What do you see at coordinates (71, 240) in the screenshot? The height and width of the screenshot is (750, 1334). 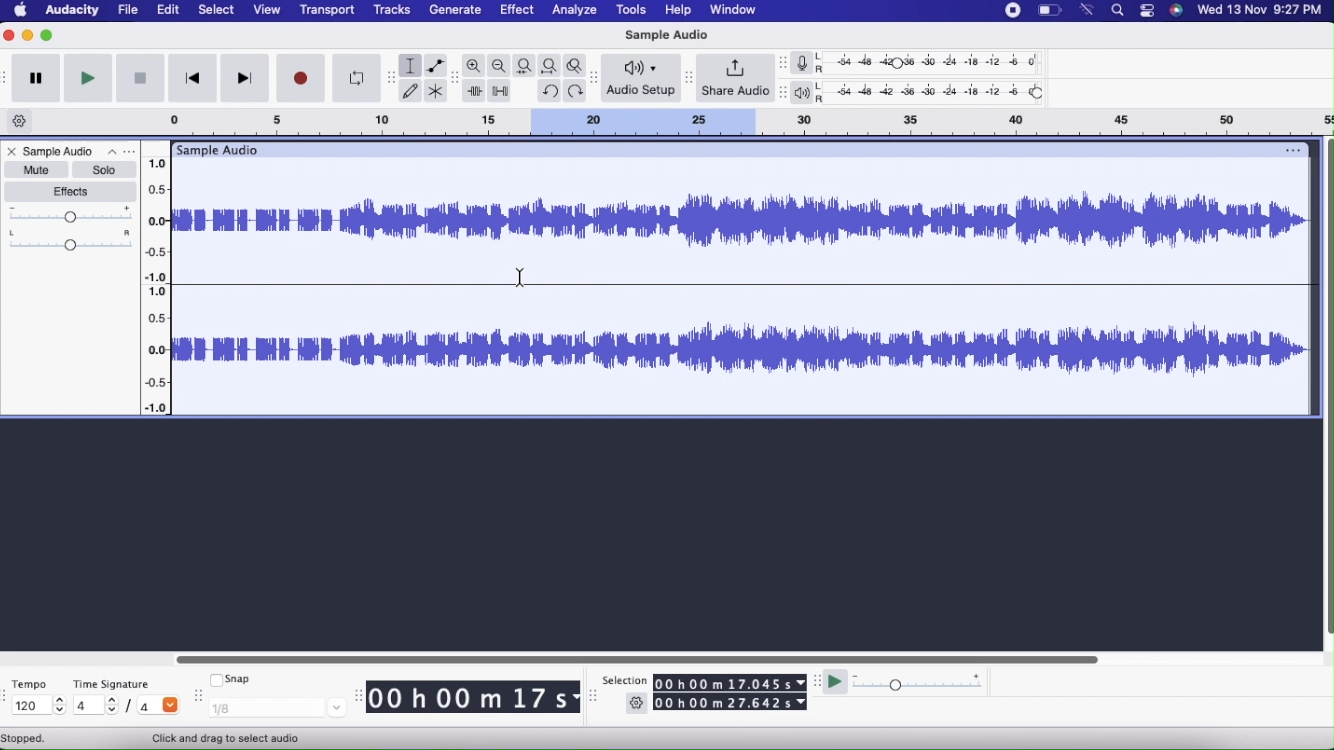 I see `Pan: Center` at bounding box center [71, 240].